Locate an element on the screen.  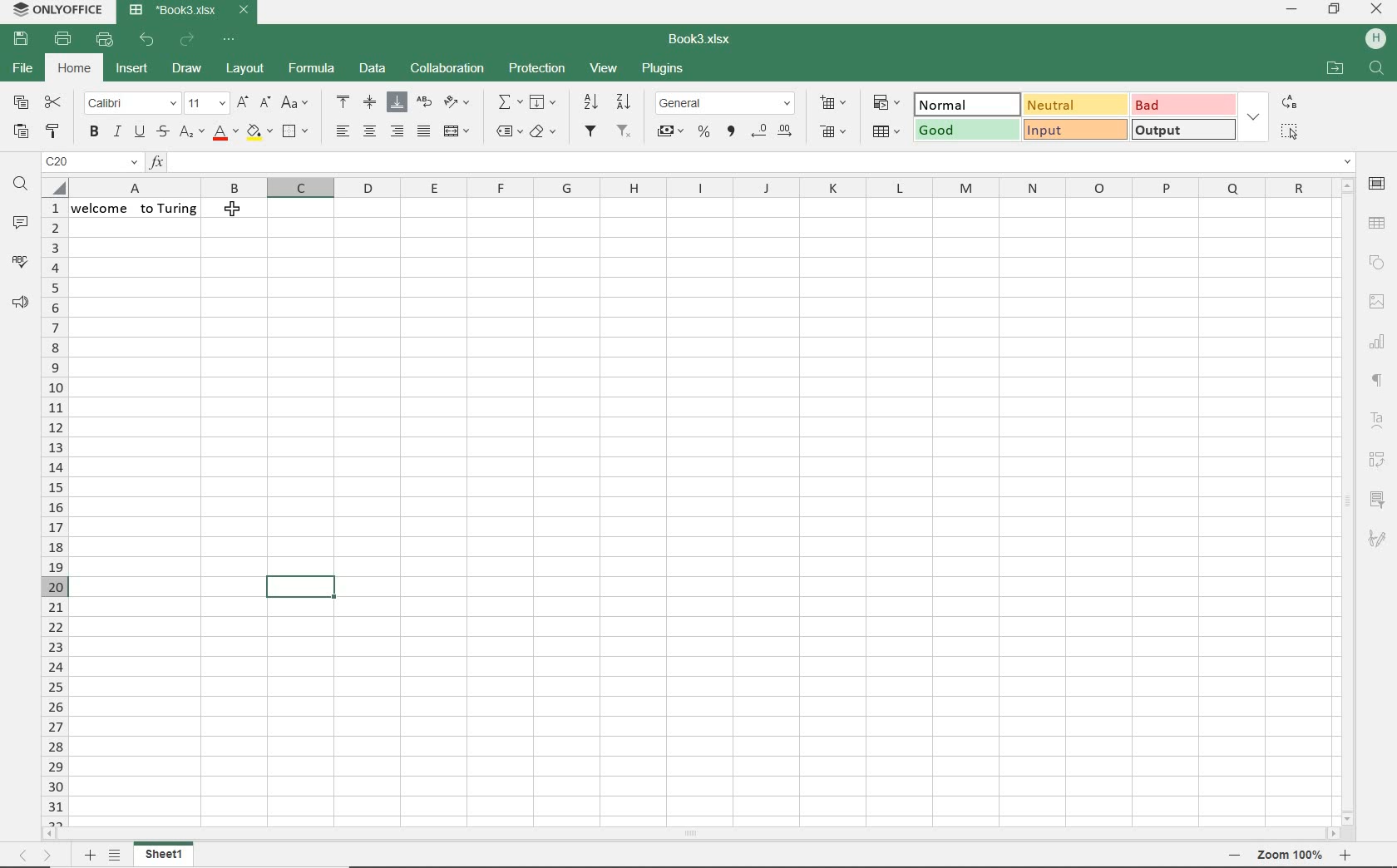
subscript/superscript is located at coordinates (190, 131).